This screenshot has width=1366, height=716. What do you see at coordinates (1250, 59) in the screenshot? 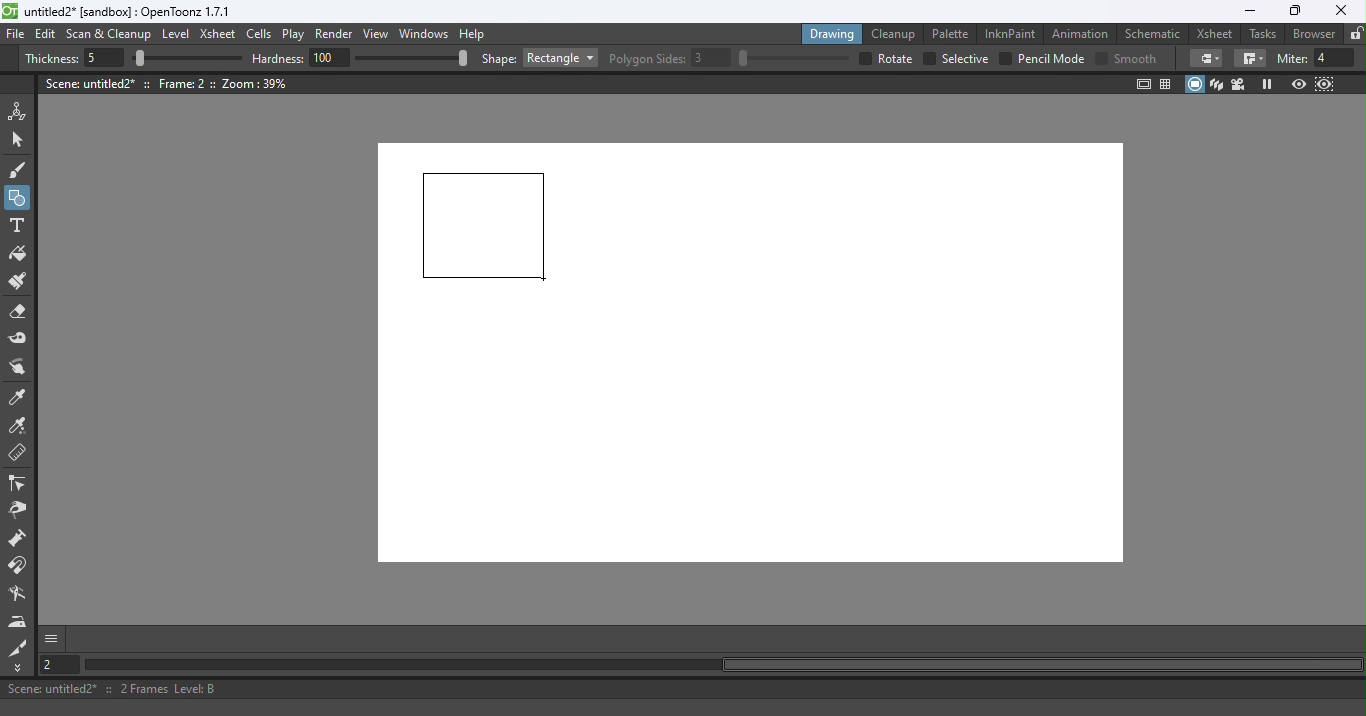
I see `Border corners` at bounding box center [1250, 59].